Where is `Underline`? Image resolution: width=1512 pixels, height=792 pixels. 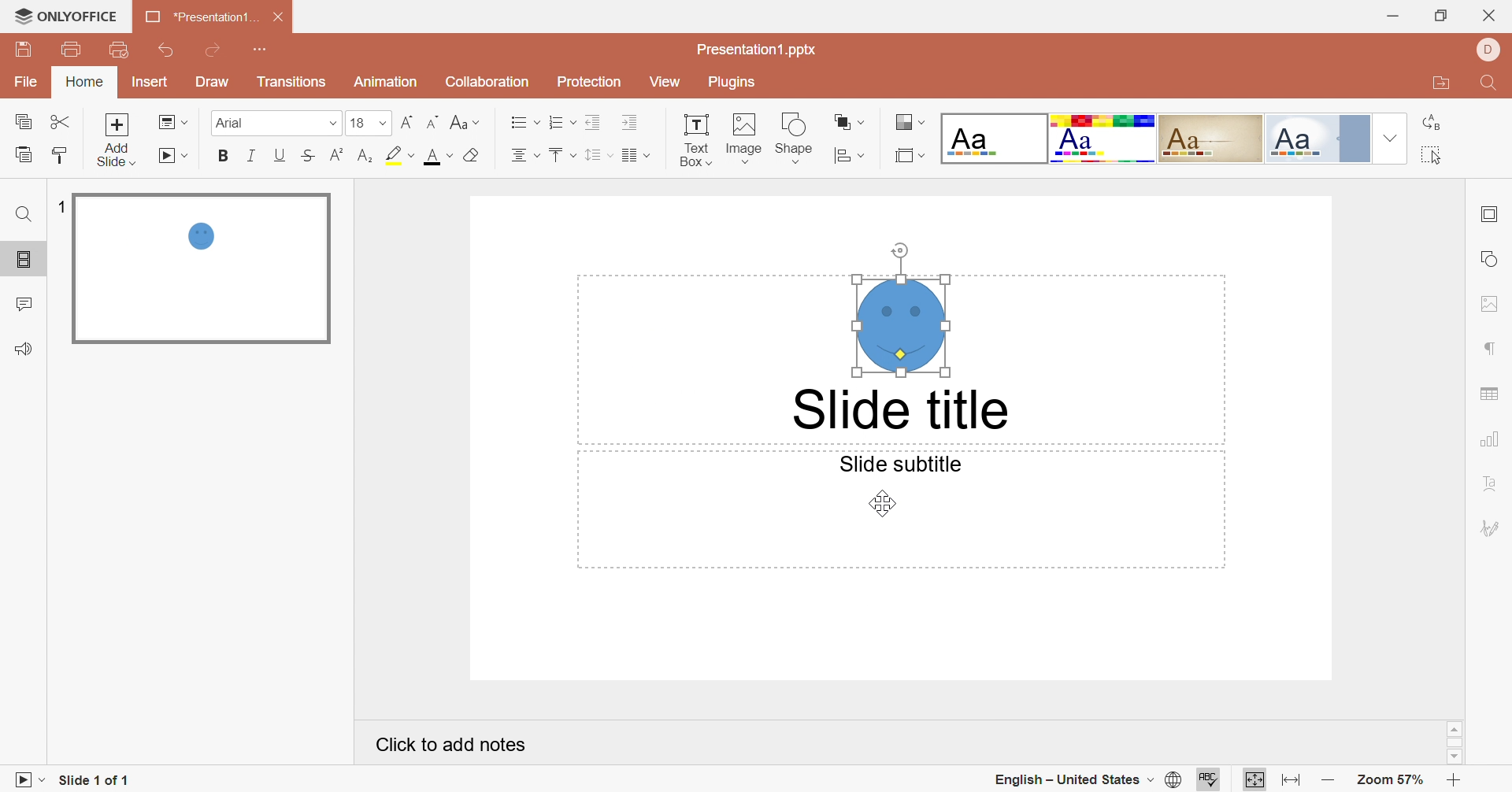 Underline is located at coordinates (283, 156).